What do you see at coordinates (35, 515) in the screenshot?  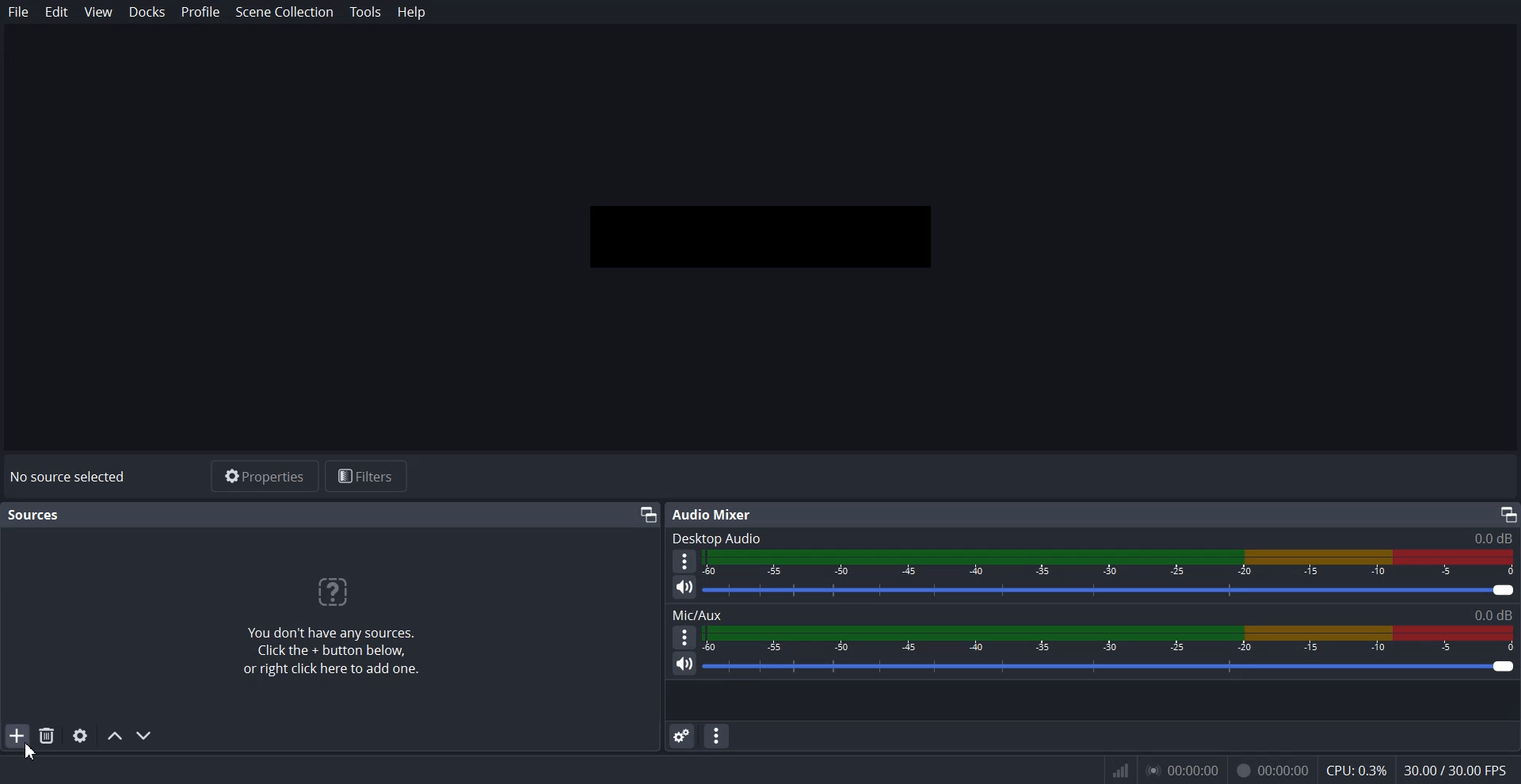 I see `Text` at bounding box center [35, 515].